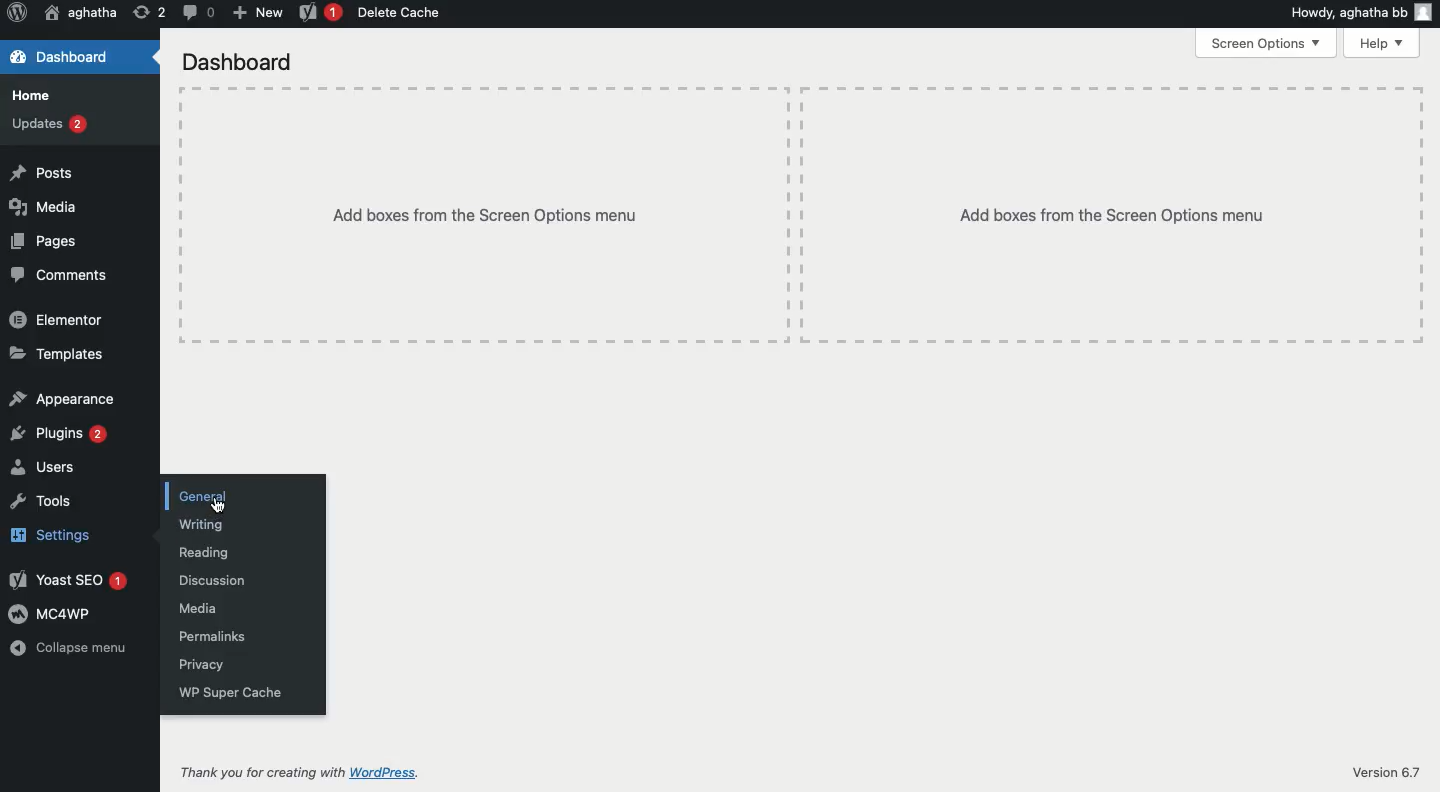  What do you see at coordinates (31, 97) in the screenshot?
I see `Home` at bounding box center [31, 97].